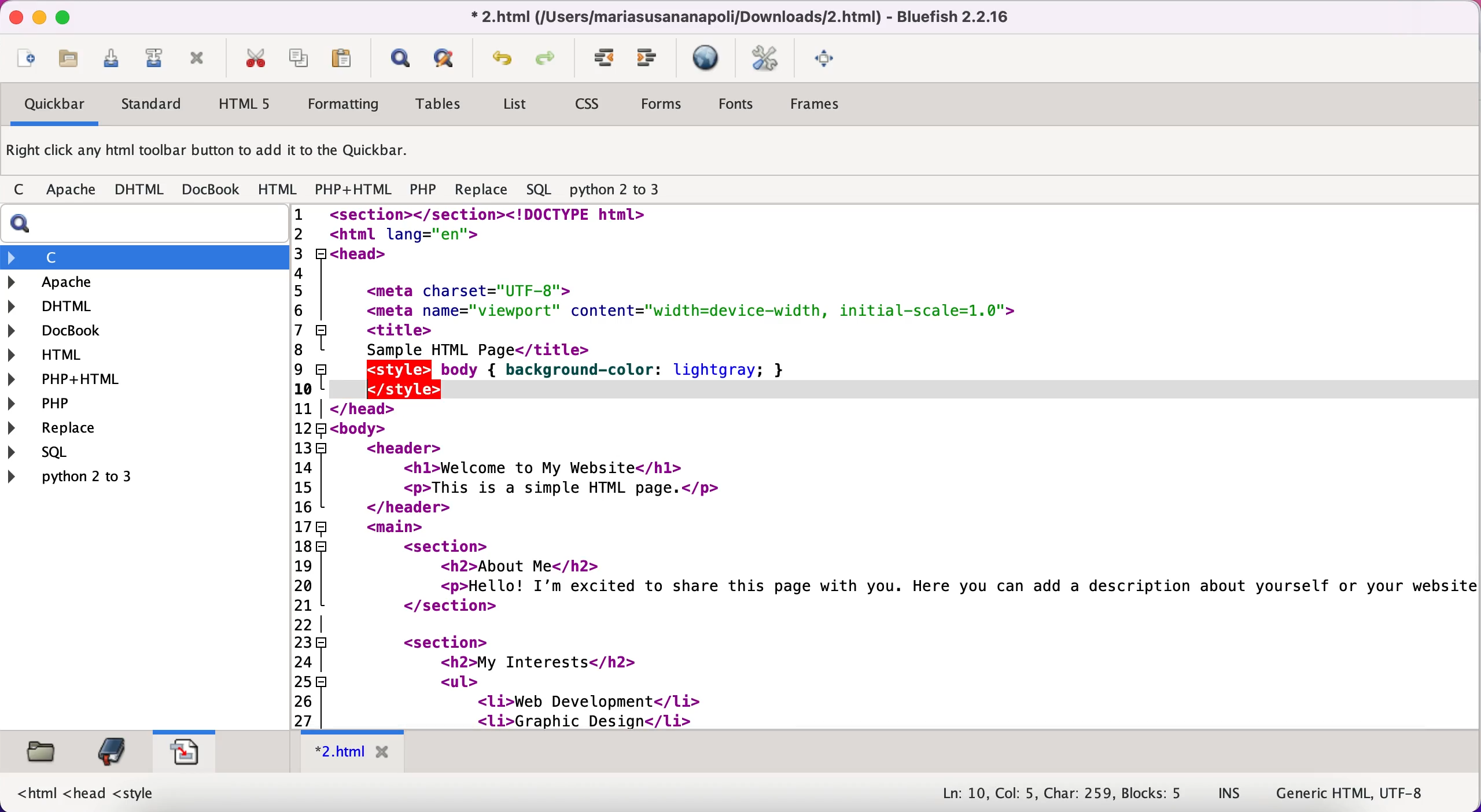 The width and height of the screenshot is (1481, 812). Describe the element at coordinates (346, 58) in the screenshot. I see `paste` at that location.